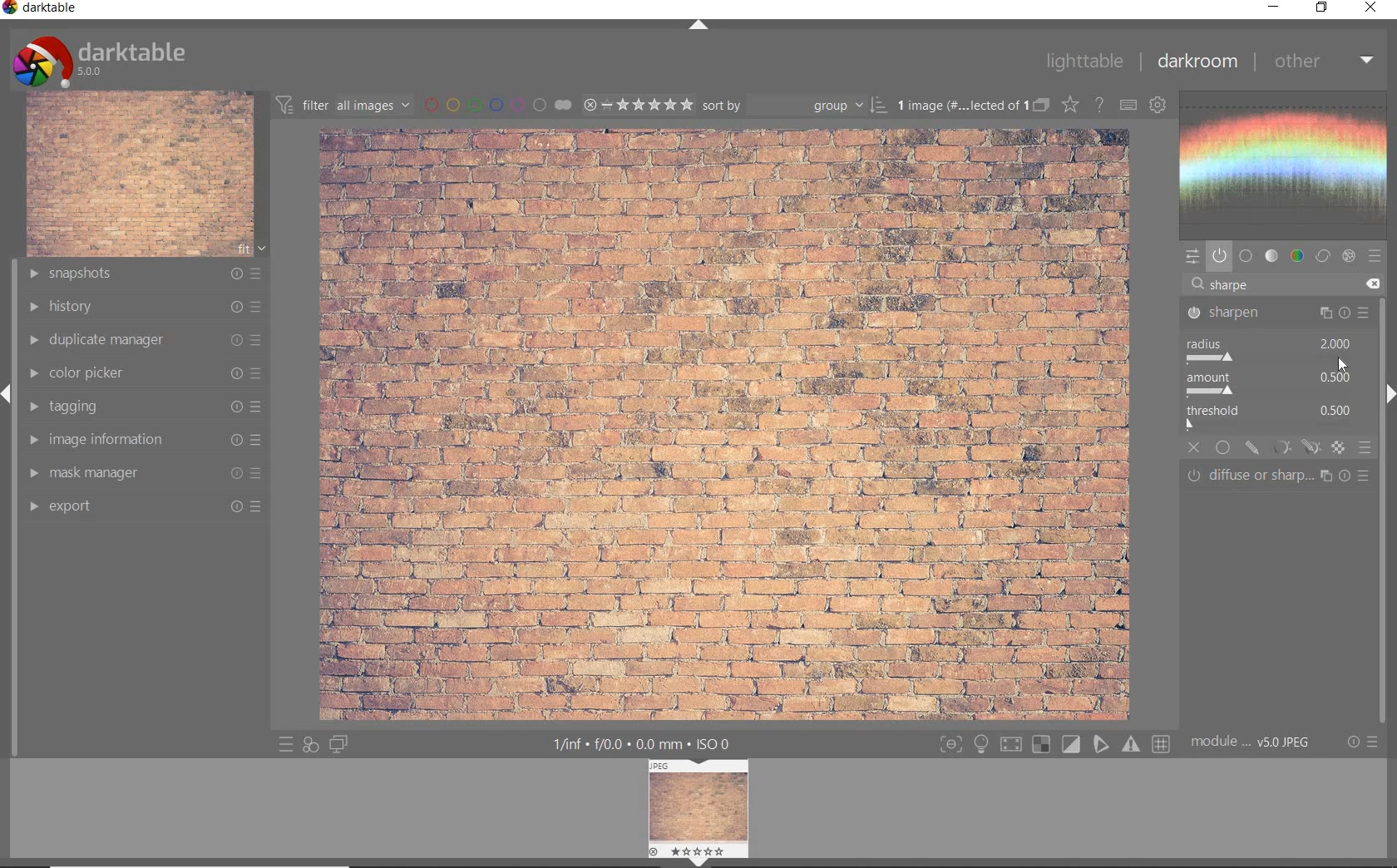  Describe the element at coordinates (1195, 448) in the screenshot. I see `CLOSE` at that location.